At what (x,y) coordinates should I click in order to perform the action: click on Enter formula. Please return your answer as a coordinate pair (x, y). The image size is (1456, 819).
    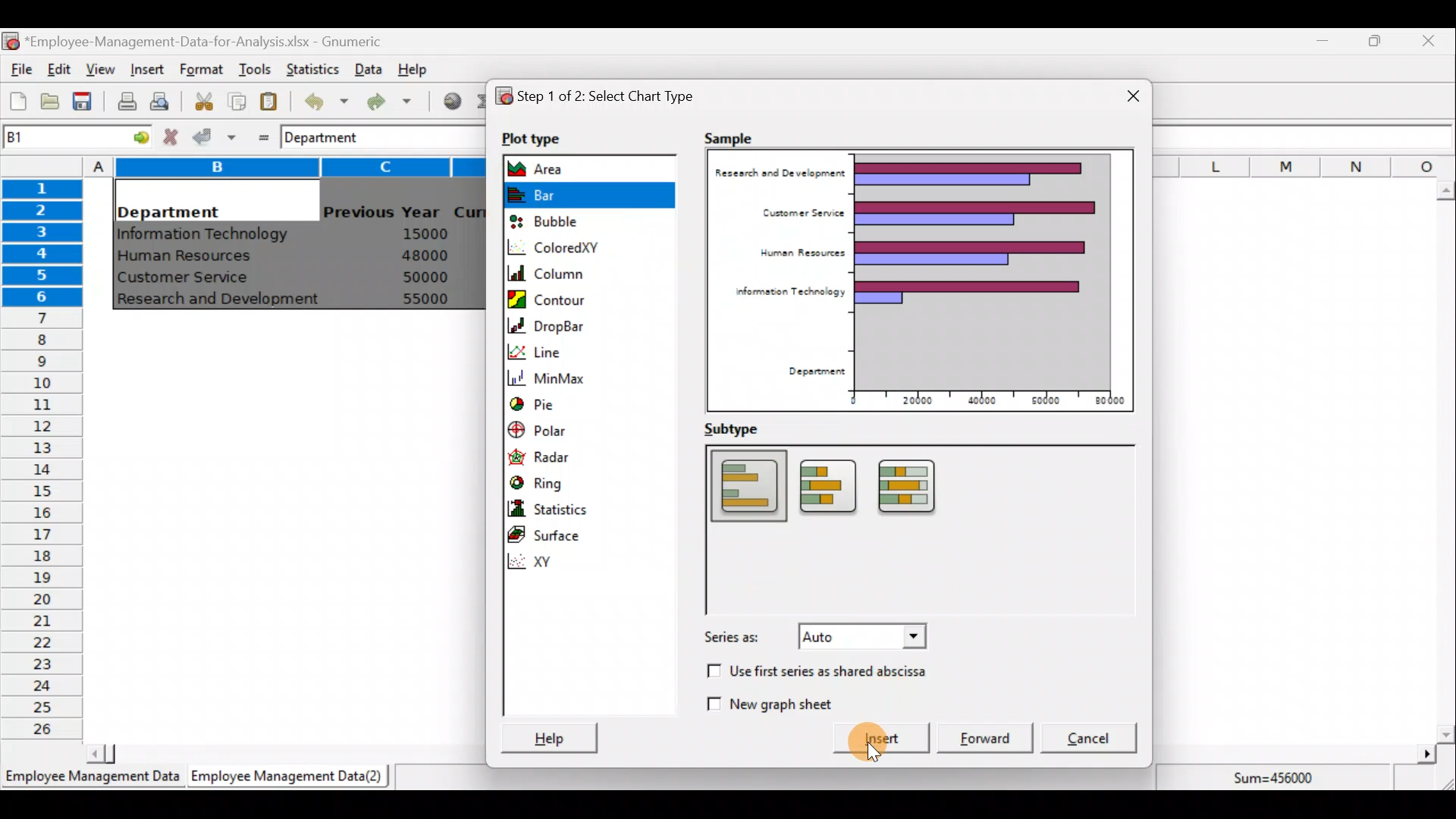
    Looking at the image, I should click on (259, 134).